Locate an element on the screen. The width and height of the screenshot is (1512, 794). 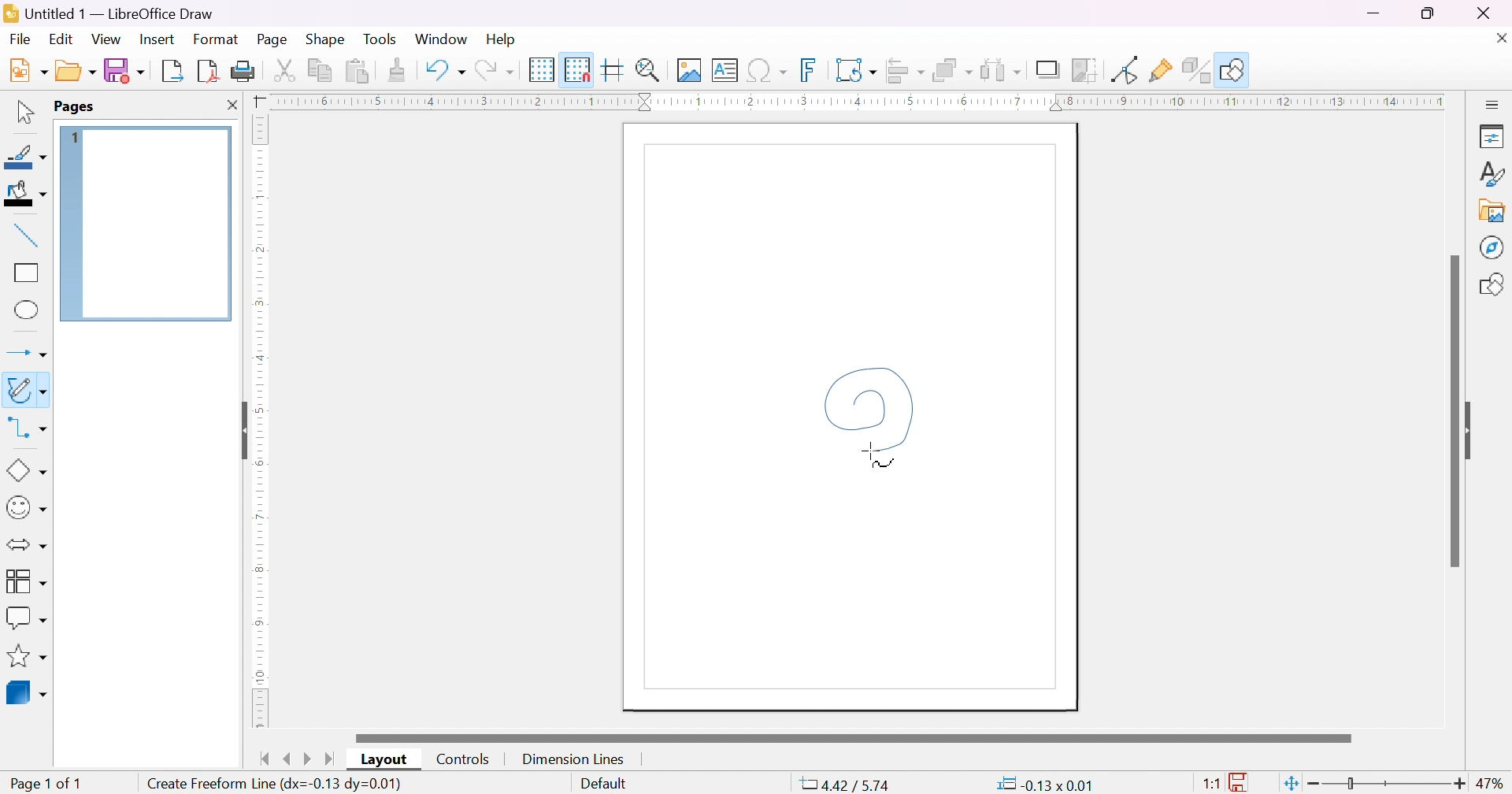
clone formatting is located at coordinates (399, 70).